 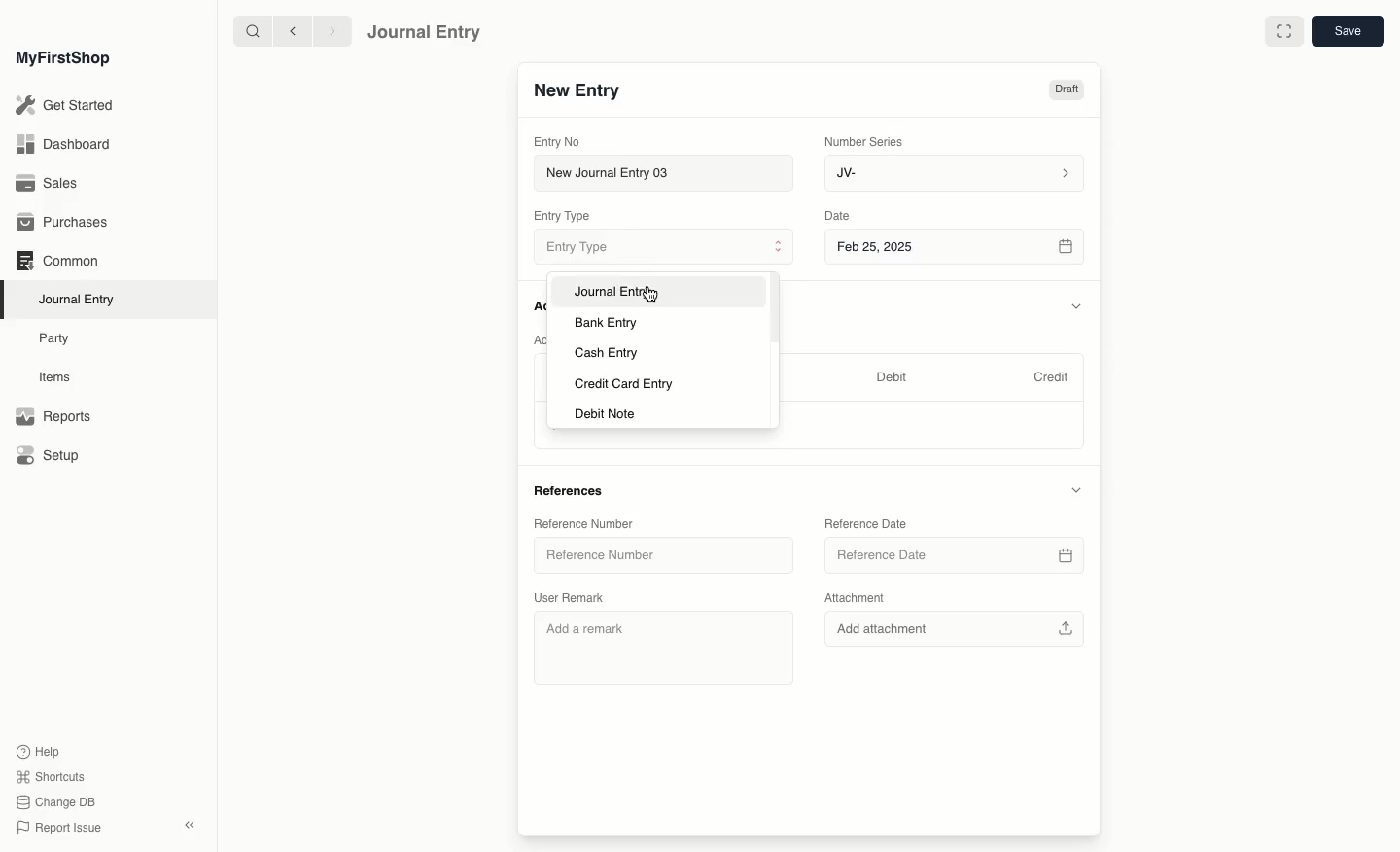 I want to click on backward <, so click(x=288, y=31).